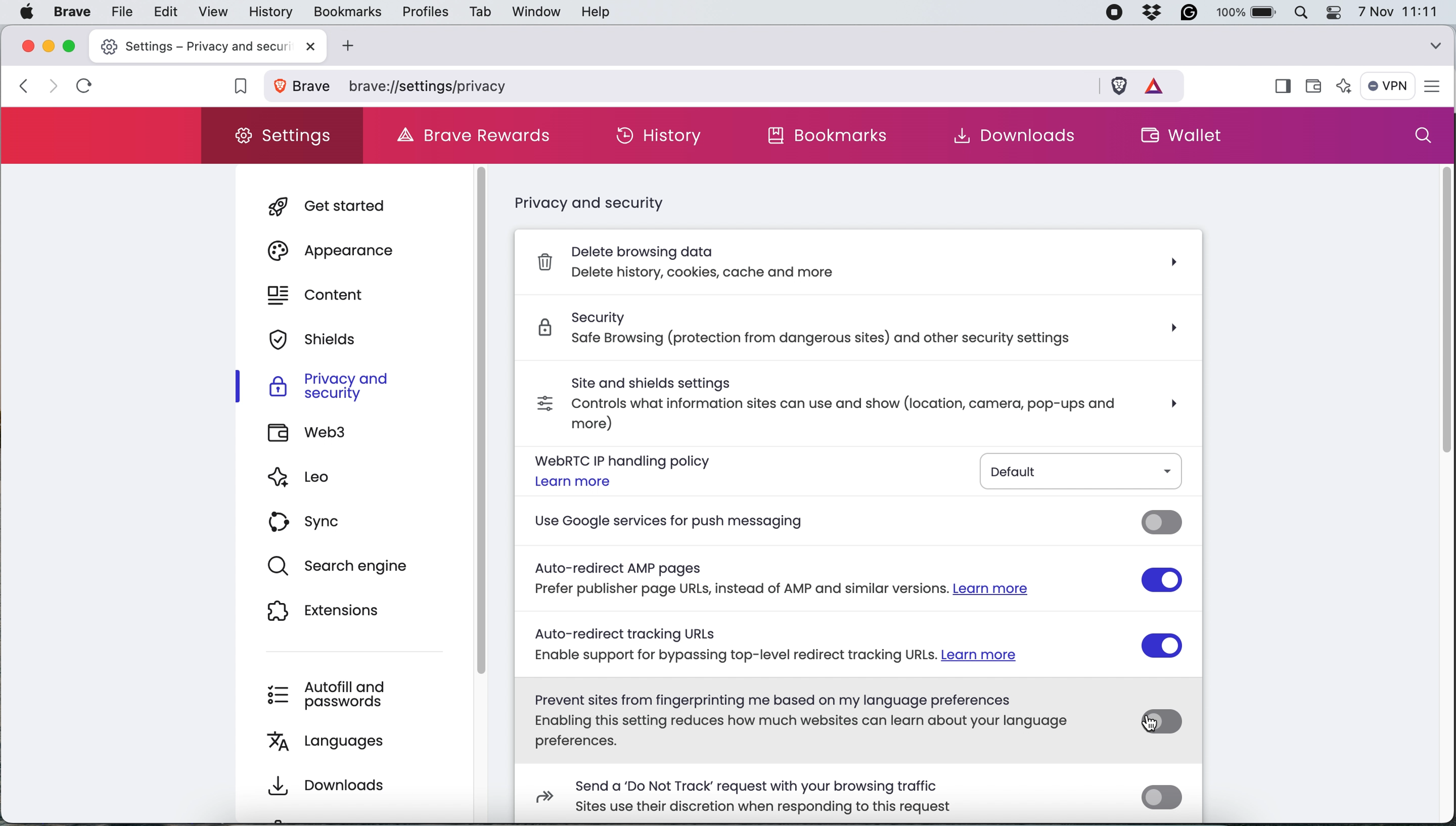  Describe the element at coordinates (1163, 721) in the screenshot. I see `prevent learning language preferences toggle switch` at that location.